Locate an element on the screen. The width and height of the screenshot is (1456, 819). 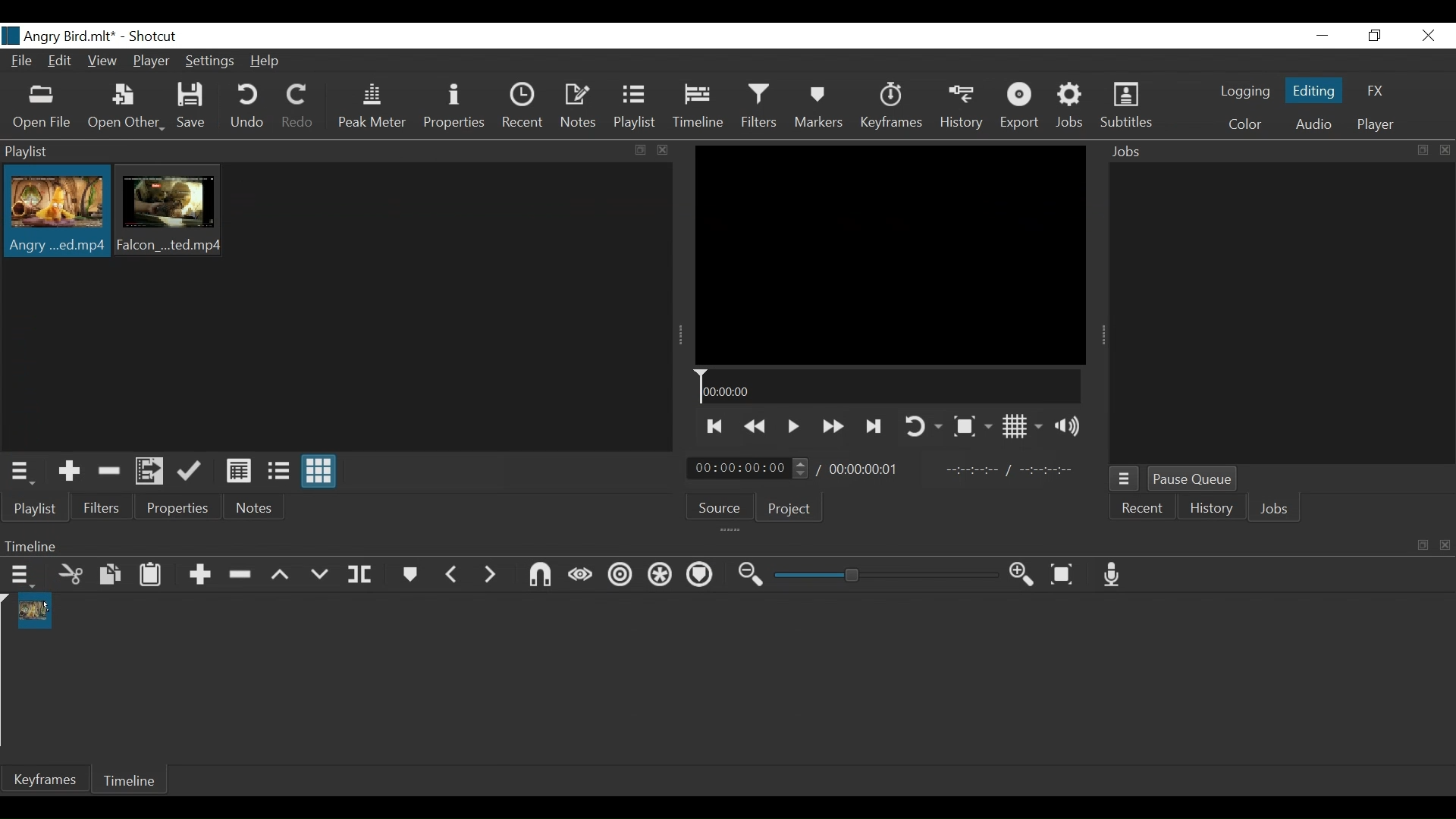
Record audio track is located at coordinates (1114, 576).